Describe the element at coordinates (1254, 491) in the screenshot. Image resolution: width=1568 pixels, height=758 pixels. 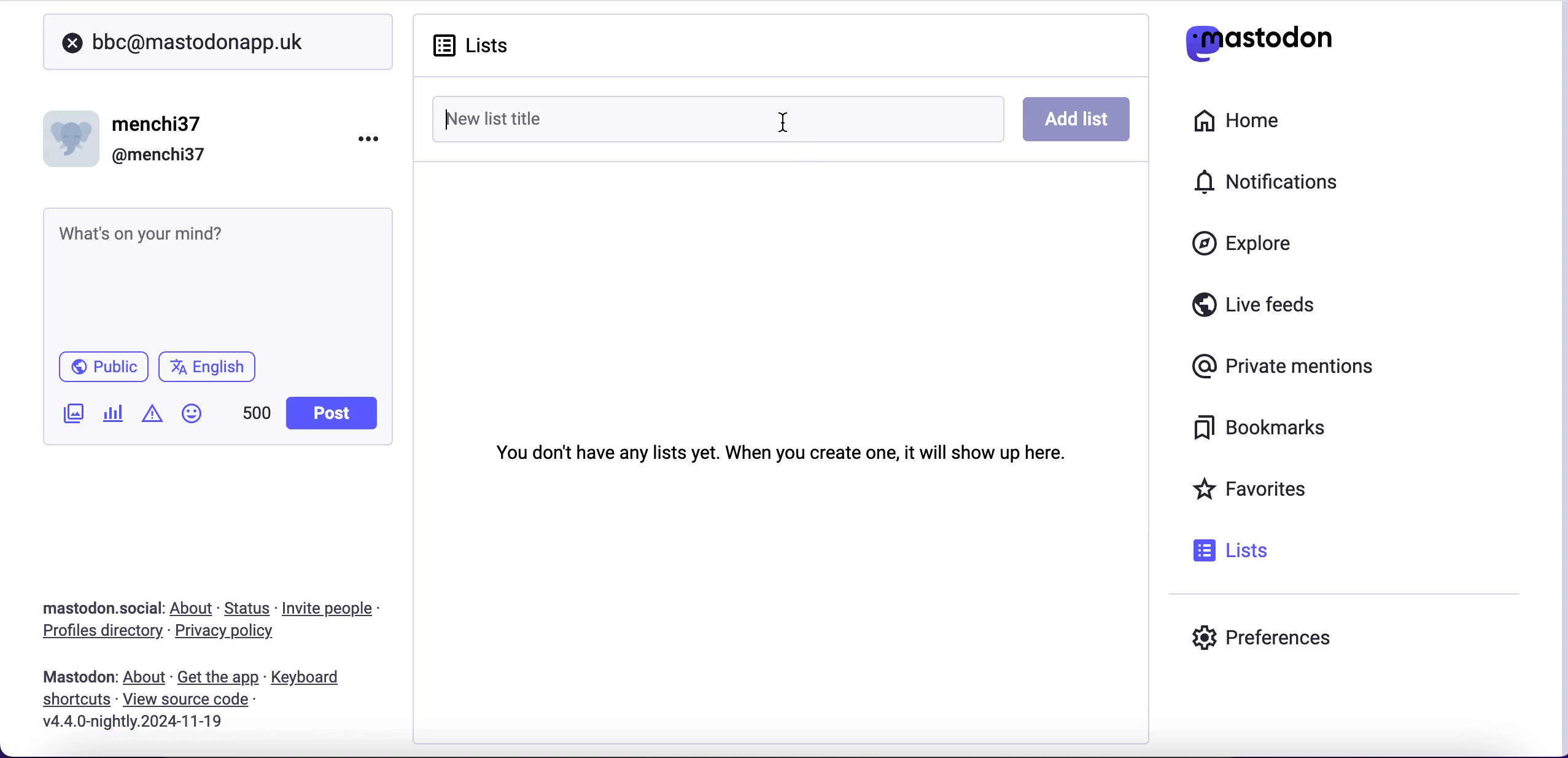
I see `favorites` at that location.